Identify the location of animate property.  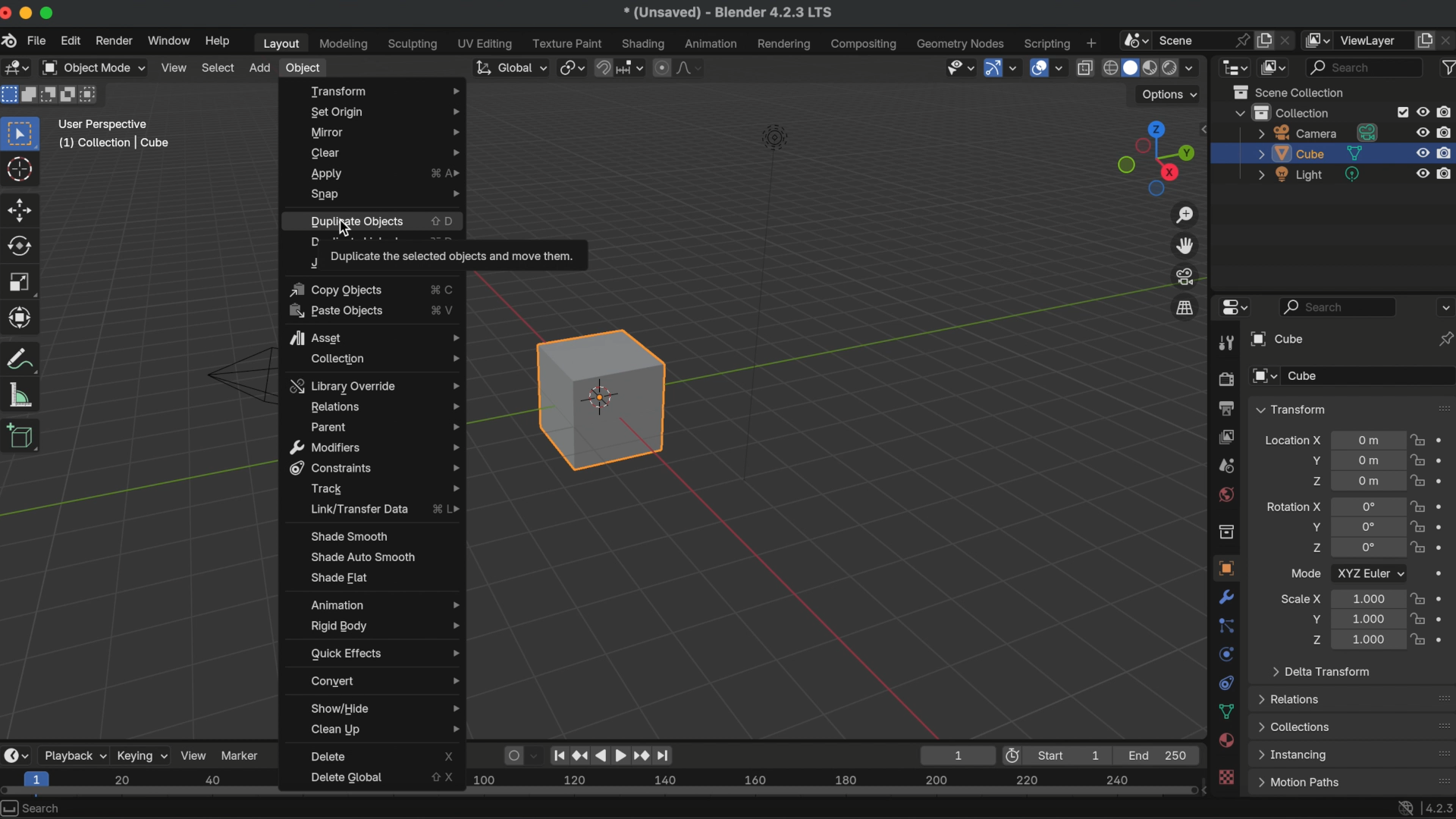
(1444, 481).